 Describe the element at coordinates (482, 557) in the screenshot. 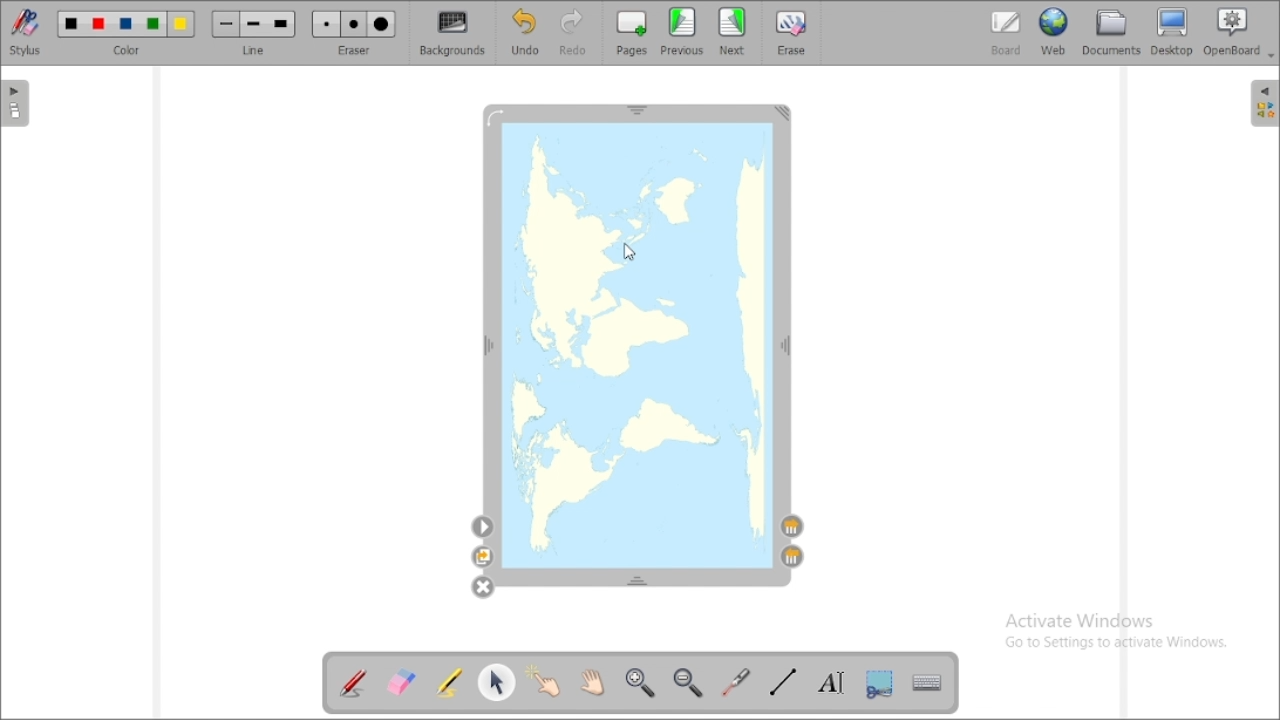

I see `duplicate` at that location.